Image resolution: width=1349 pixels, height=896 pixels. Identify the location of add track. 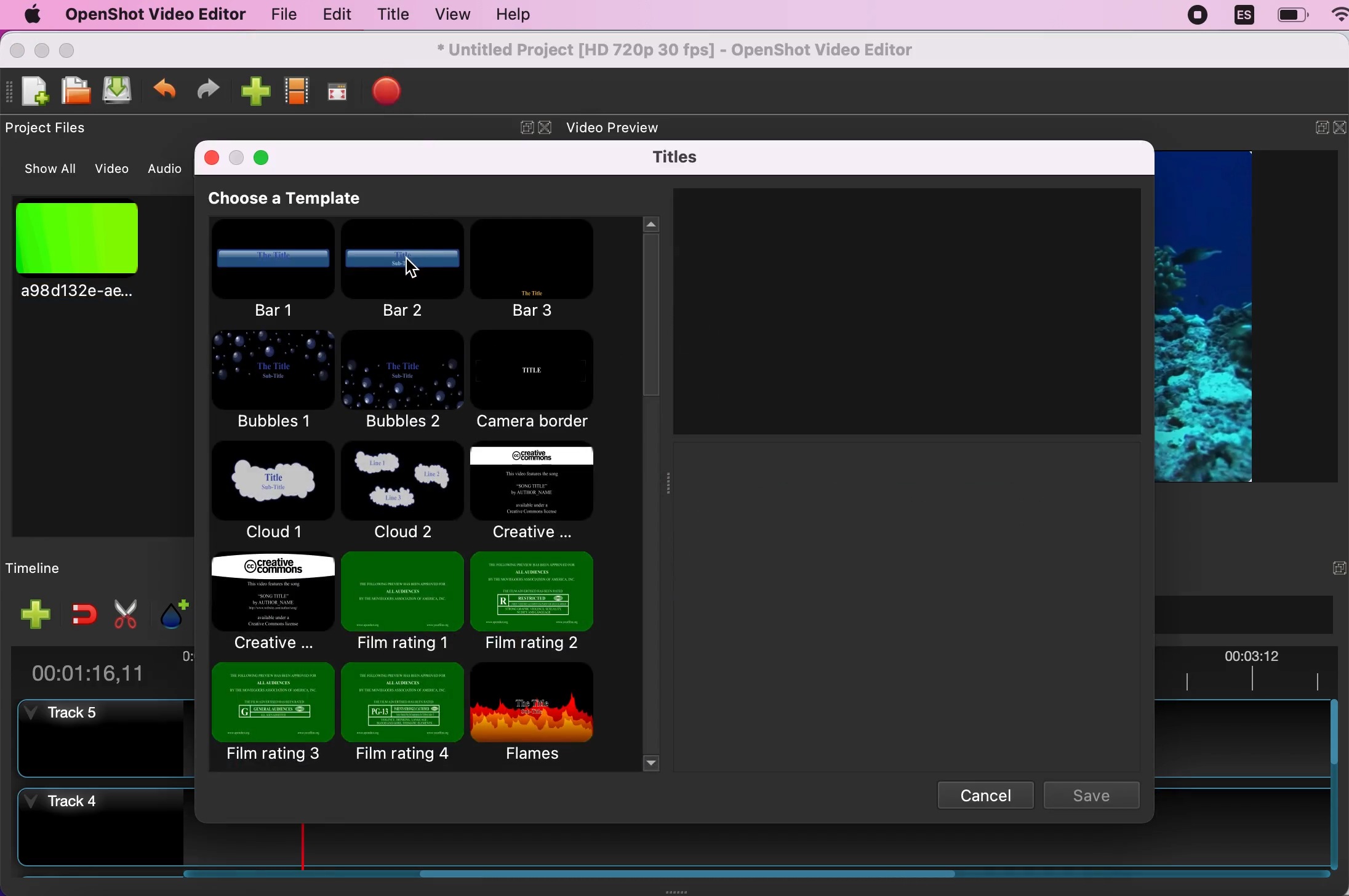
(33, 614).